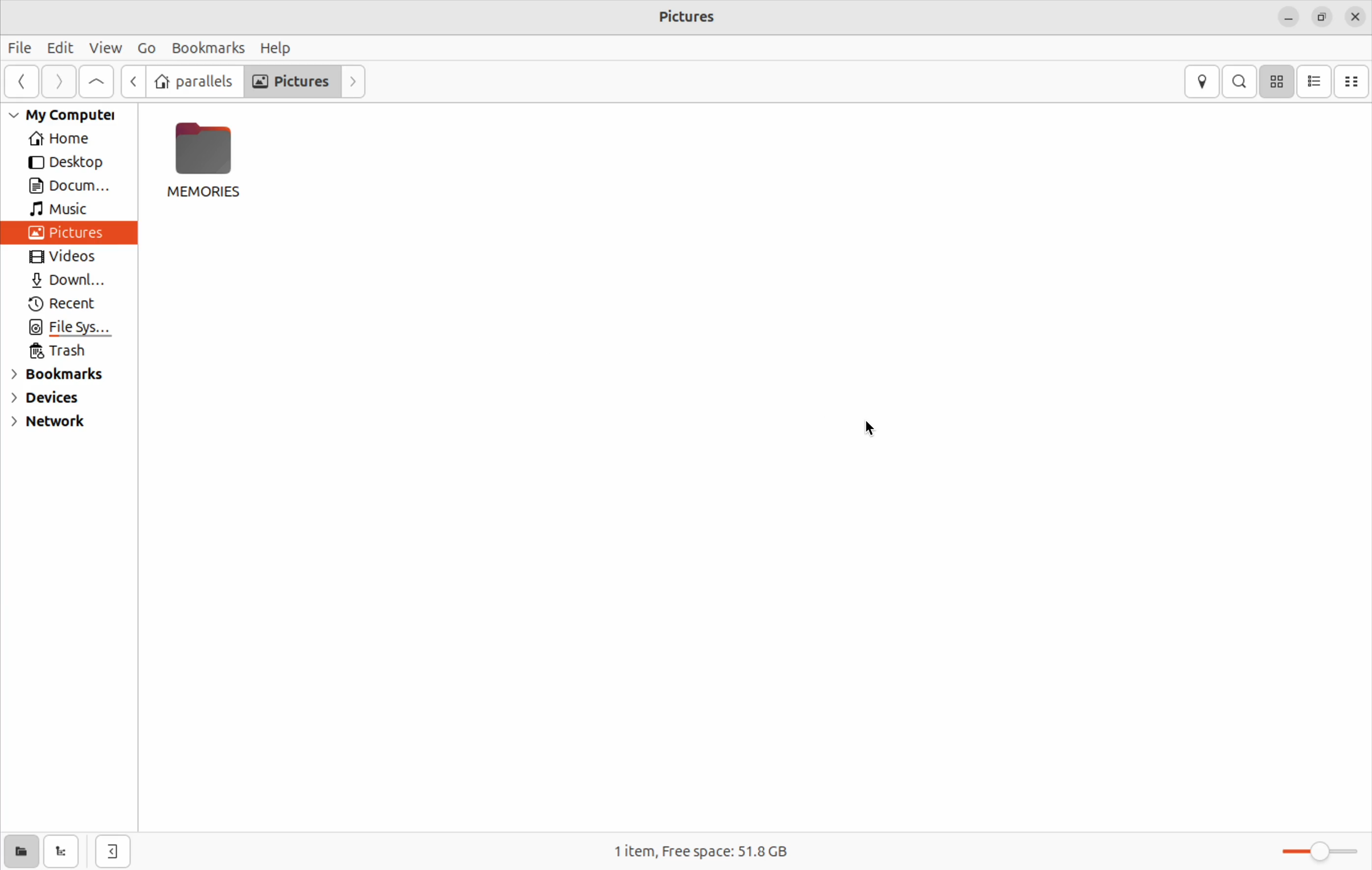 This screenshot has height=870, width=1372. What do you see at coordinates (69, 329) in the screenshot?
I see `File Sys...` at bounding box center [69, 329].